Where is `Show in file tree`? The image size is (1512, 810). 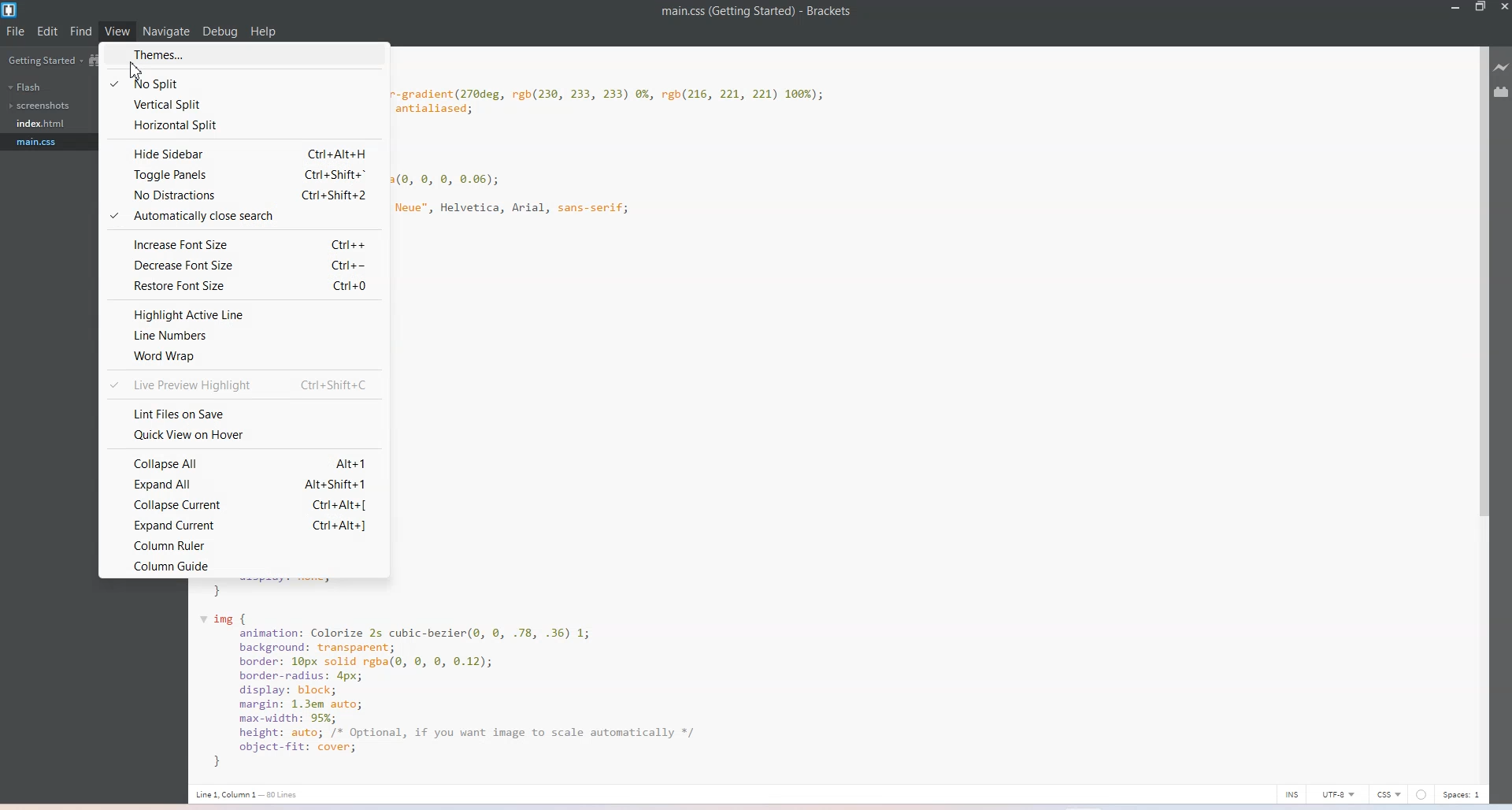 Show in file tree is located at coordinates (95, 61).